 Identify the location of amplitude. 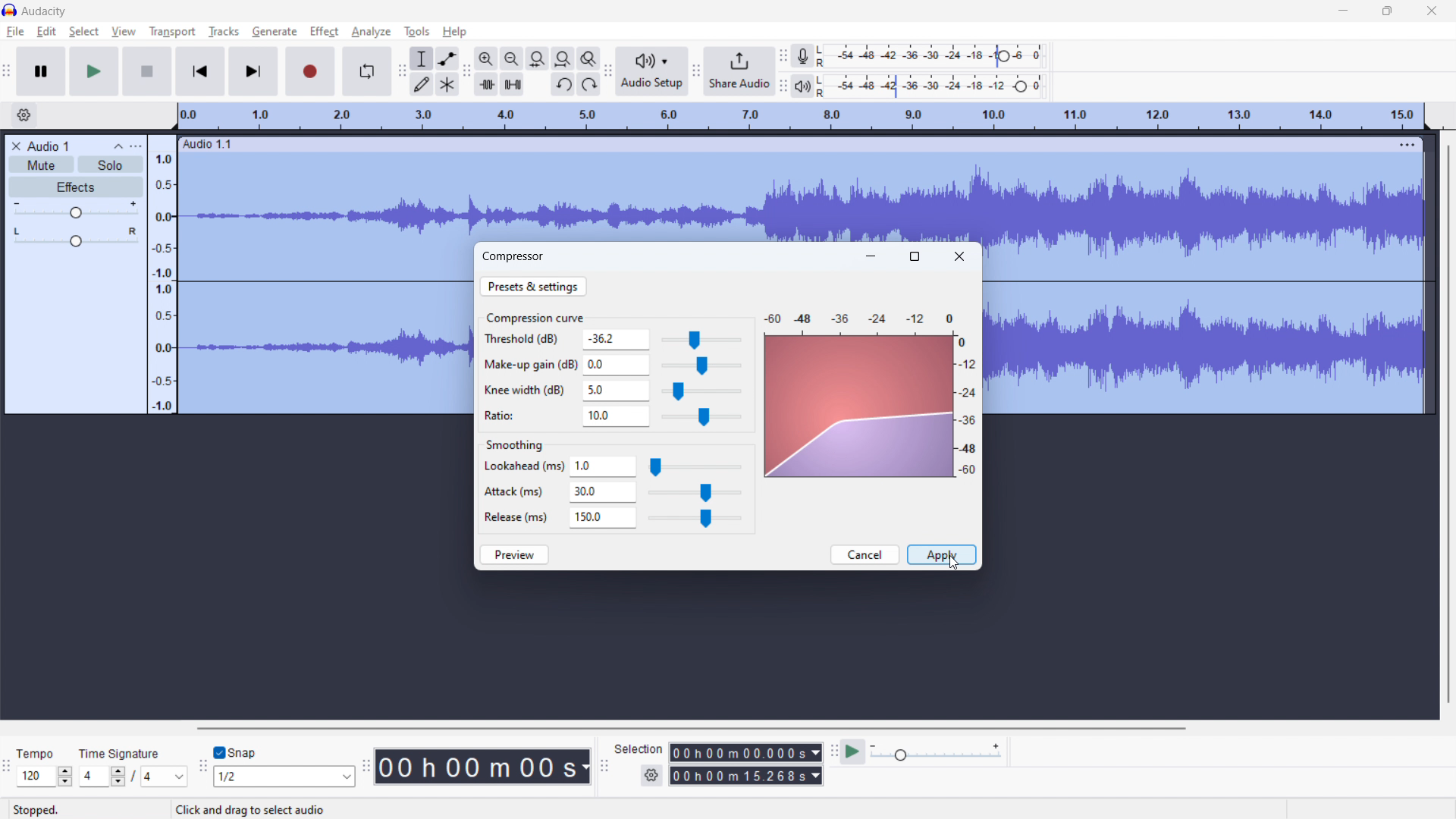
(162, 273).